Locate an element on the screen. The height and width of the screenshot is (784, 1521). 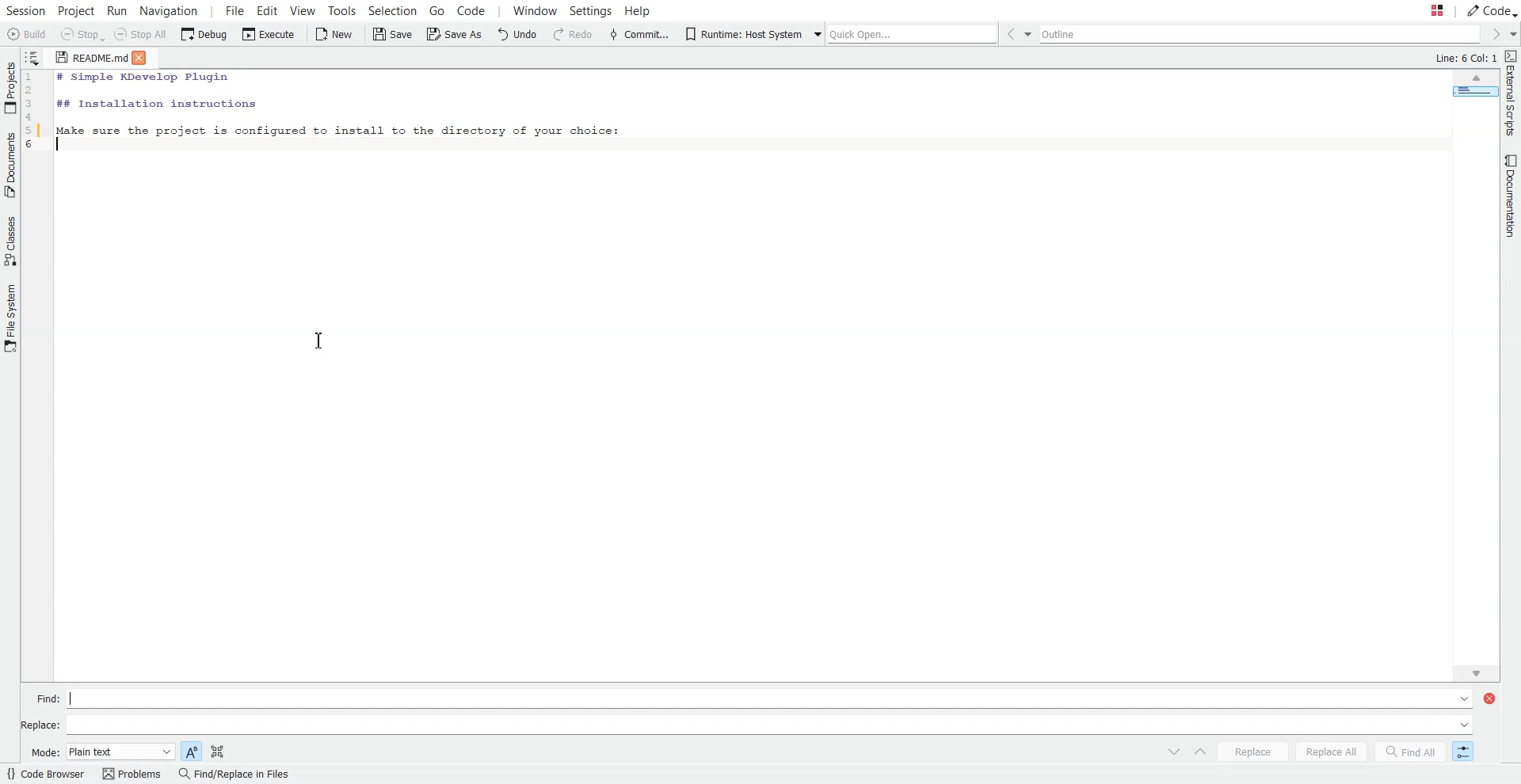
Find is located at coordinates (753, 698).